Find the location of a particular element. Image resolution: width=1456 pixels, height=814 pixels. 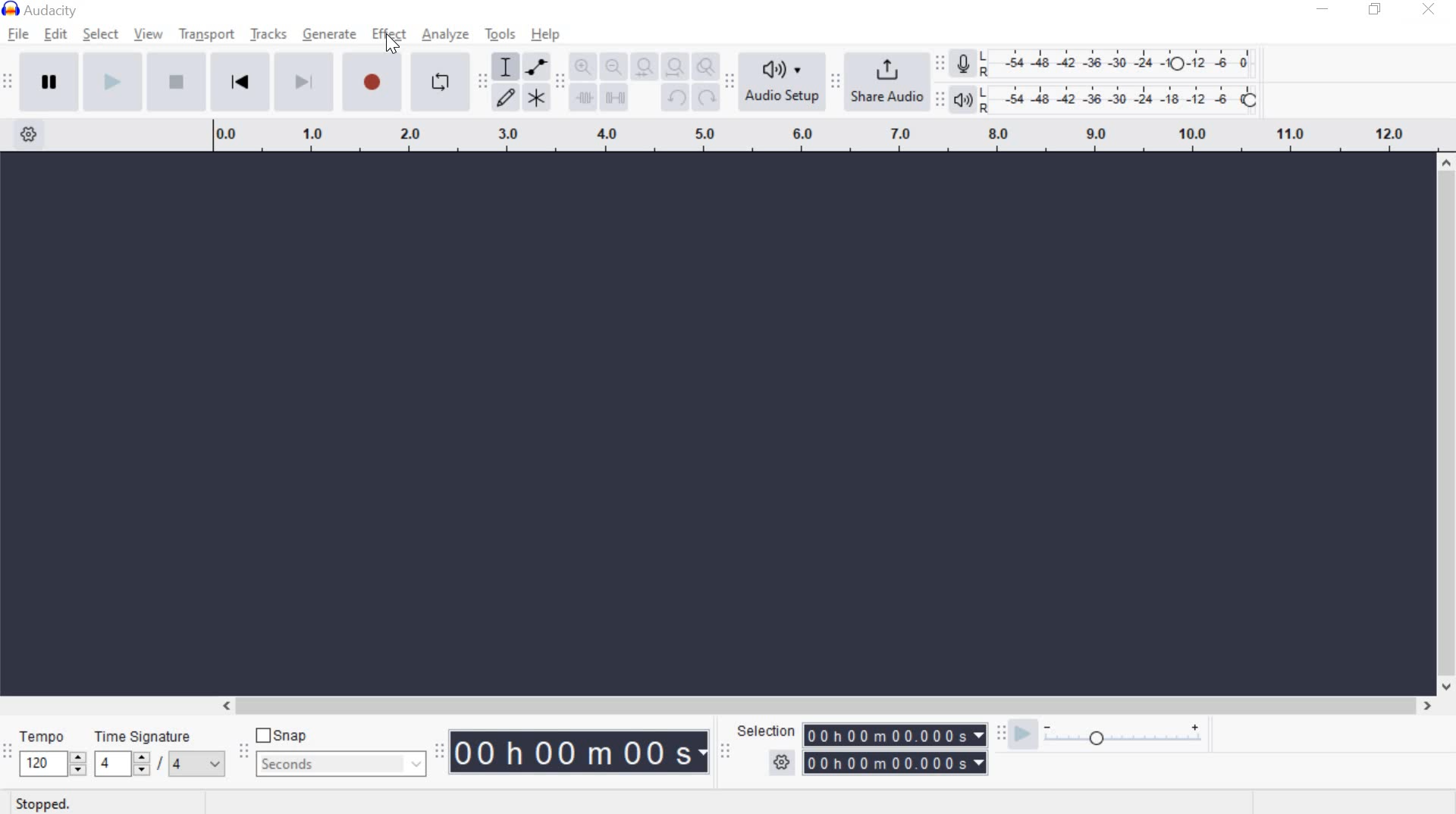

Silence audio selection is located at coordinates (619, 99).